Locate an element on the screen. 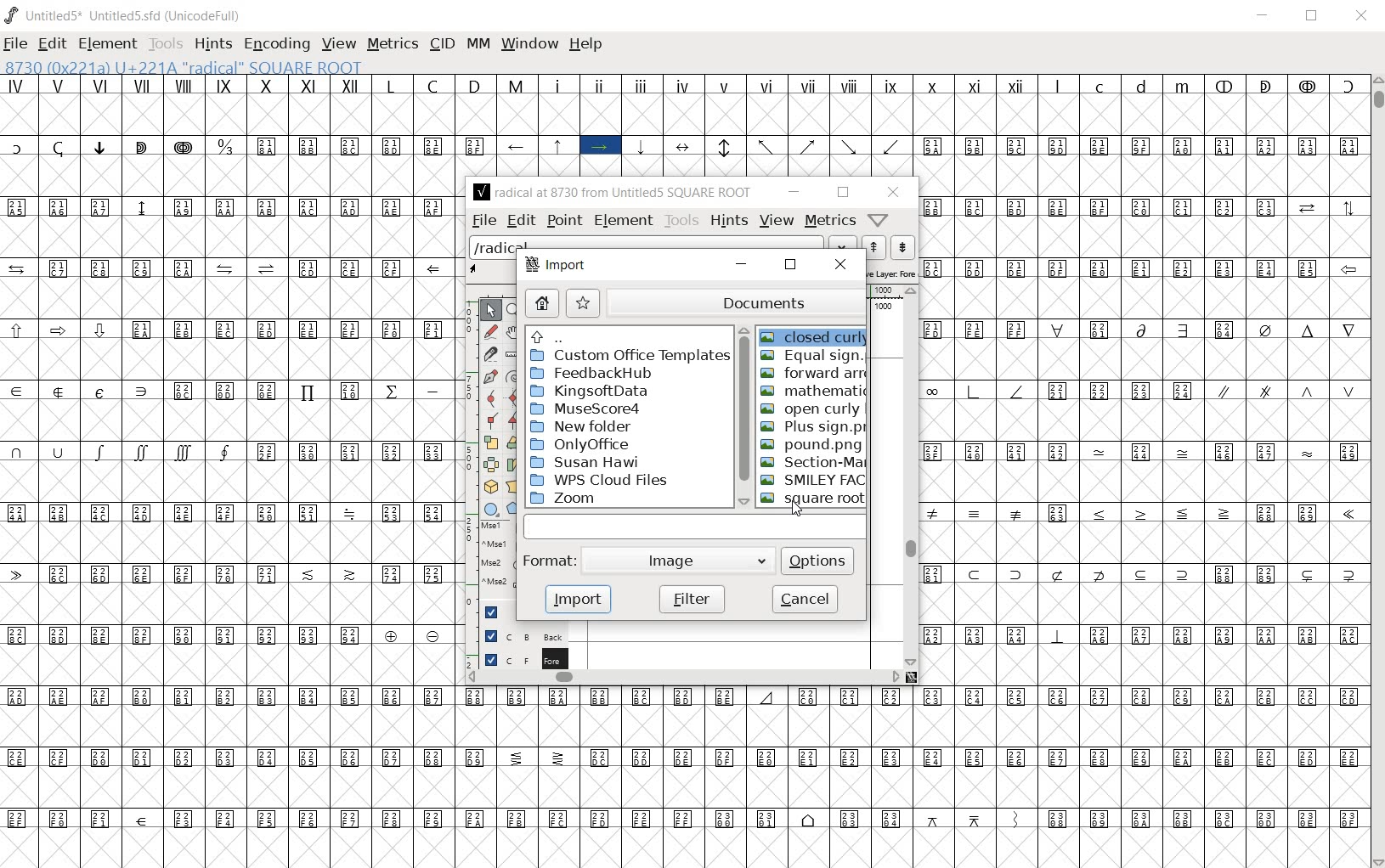 The height and width of the screenshot is (868, 1385). add a point, then drag out its control points is located at coordinates (489, 376).